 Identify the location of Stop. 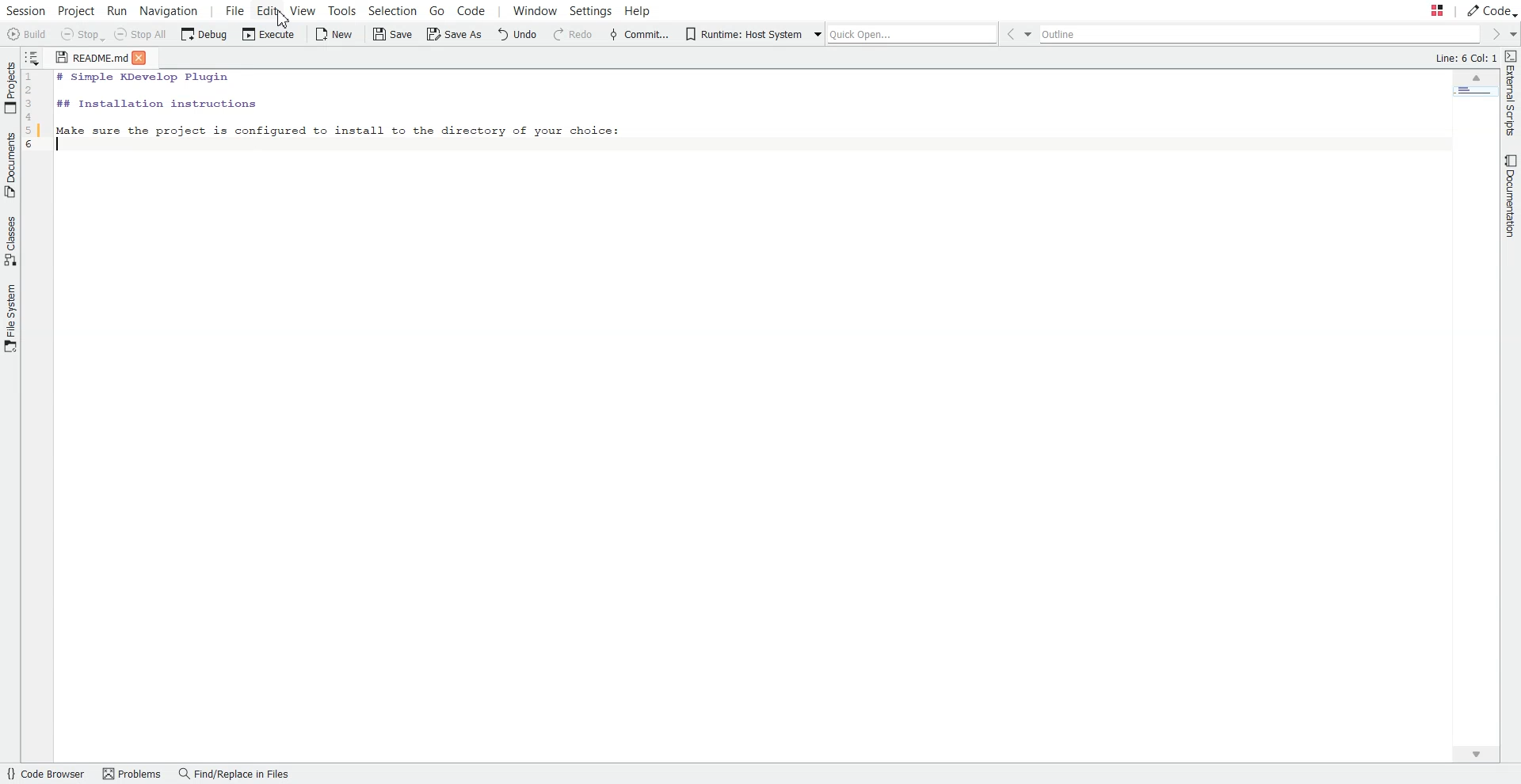
(82, 36).